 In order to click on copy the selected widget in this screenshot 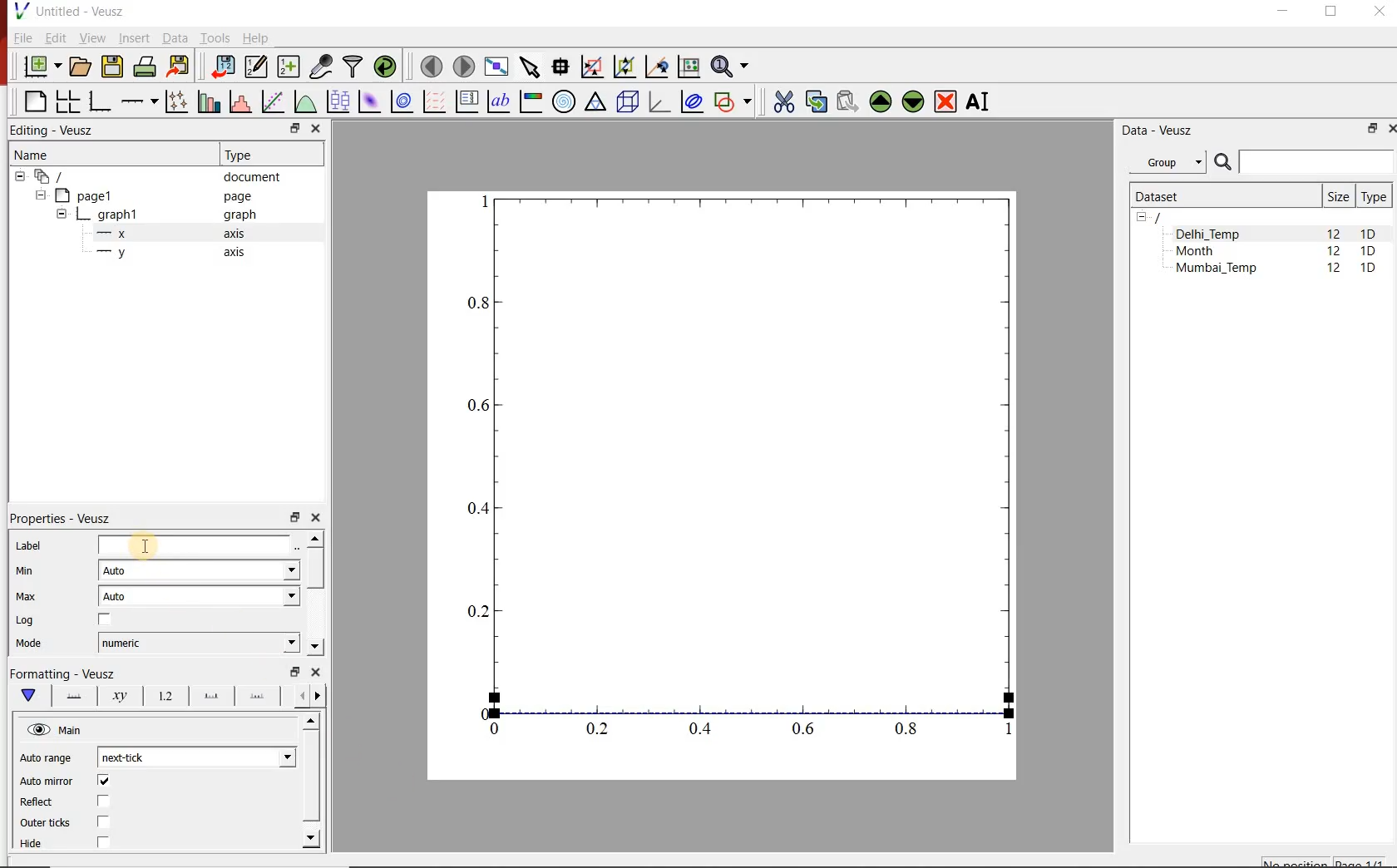, I will do `click(814, 101)`.